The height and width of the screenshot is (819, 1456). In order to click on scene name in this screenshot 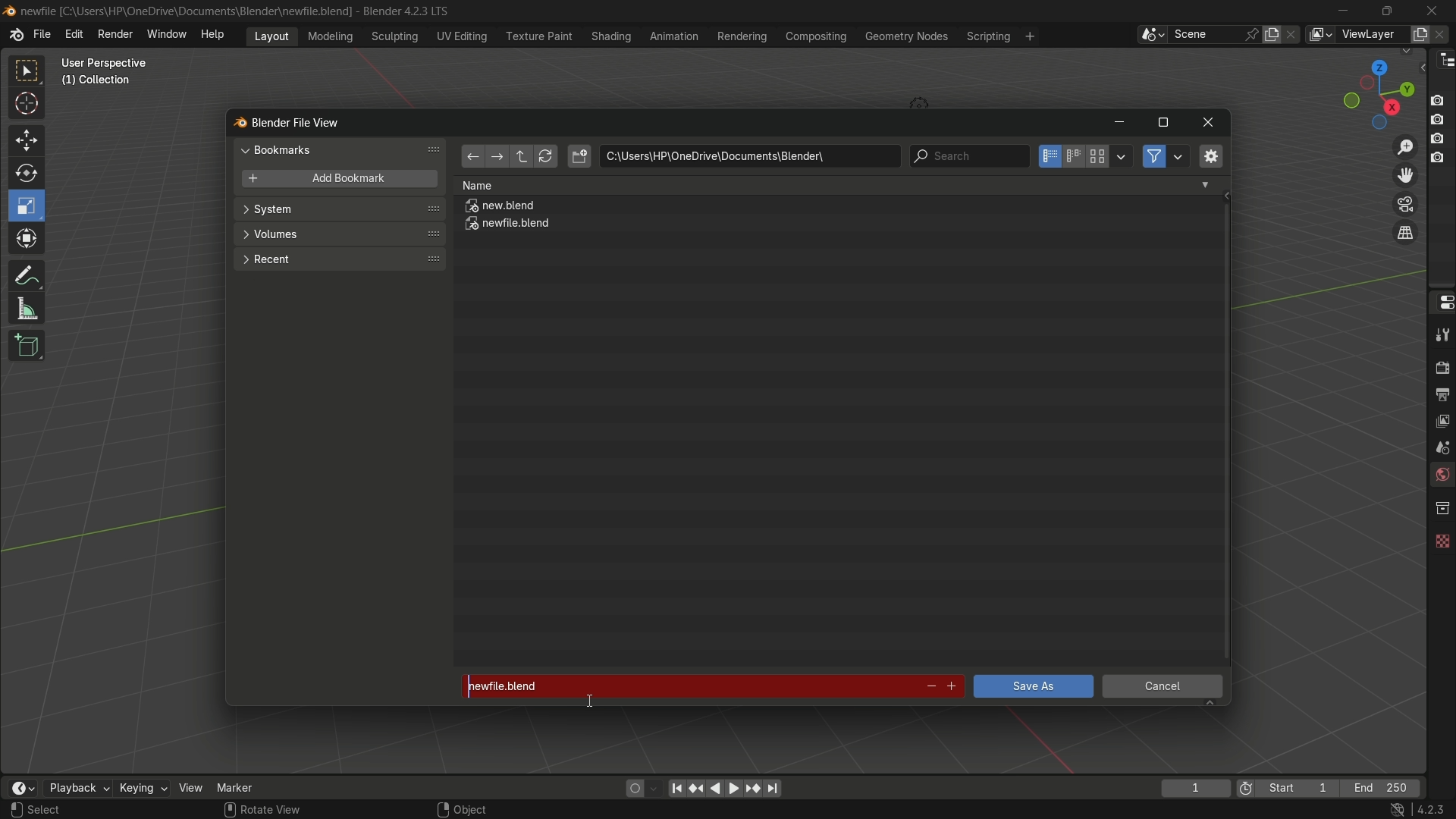, I will do `click(1205, 33)`.